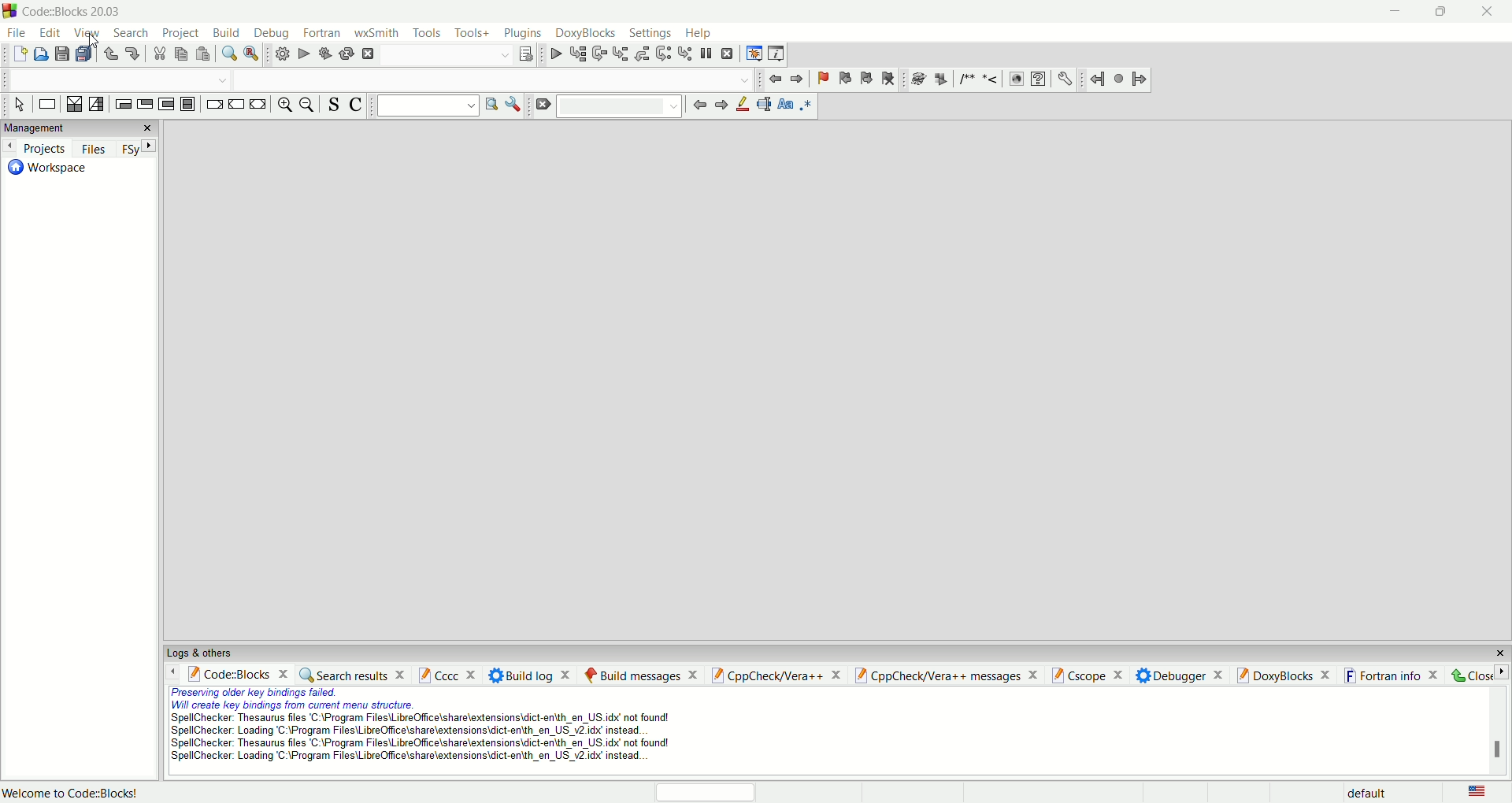 Image resolution: width=1512 pixels, height=803 pixels. Describe the element at coordinates (283, 106) in the screenshot. I see `zoom in` at that location.